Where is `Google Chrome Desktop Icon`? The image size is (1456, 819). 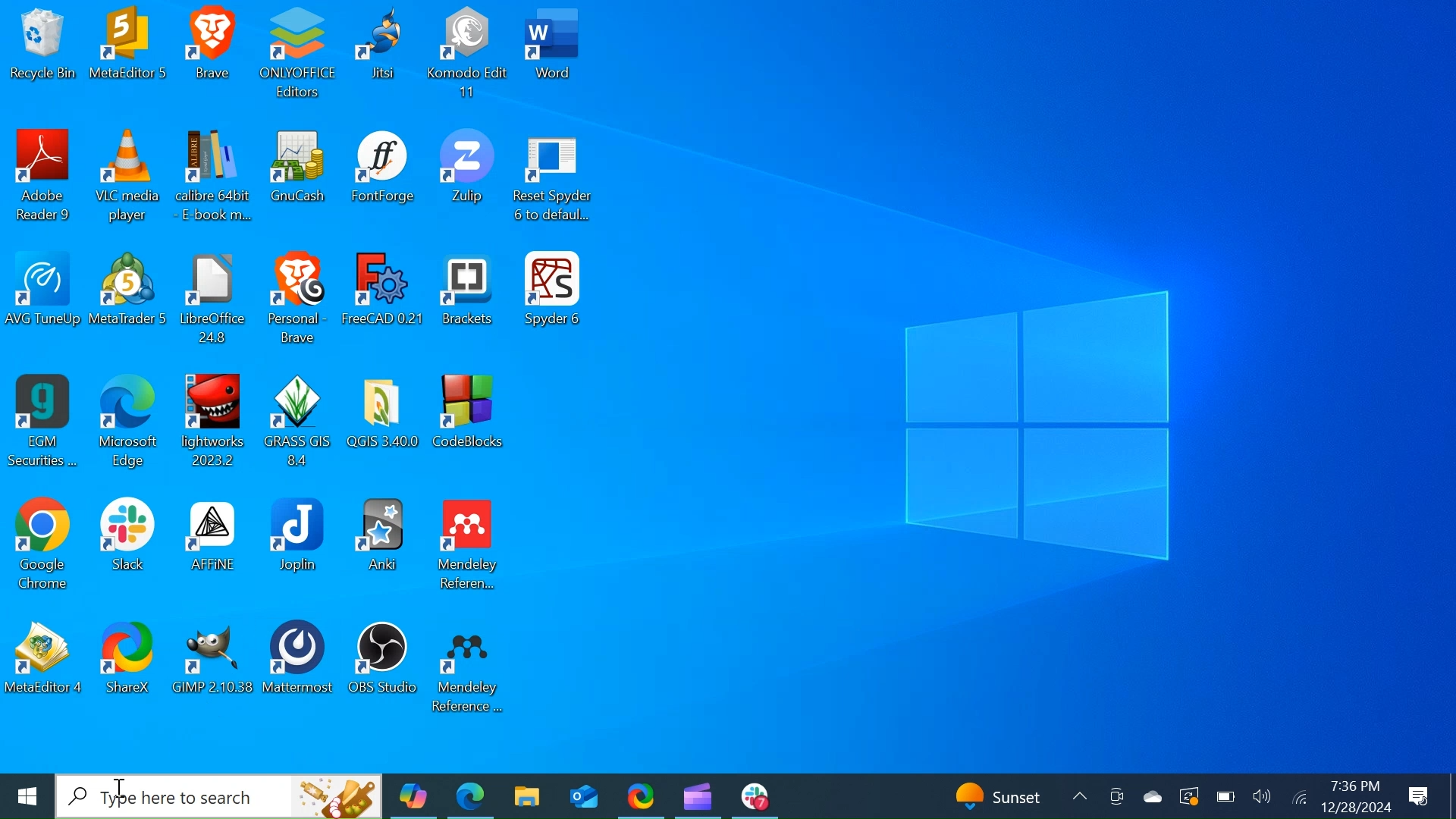
Google Chrome Desktop Icon is located at coordinates (39, 544).